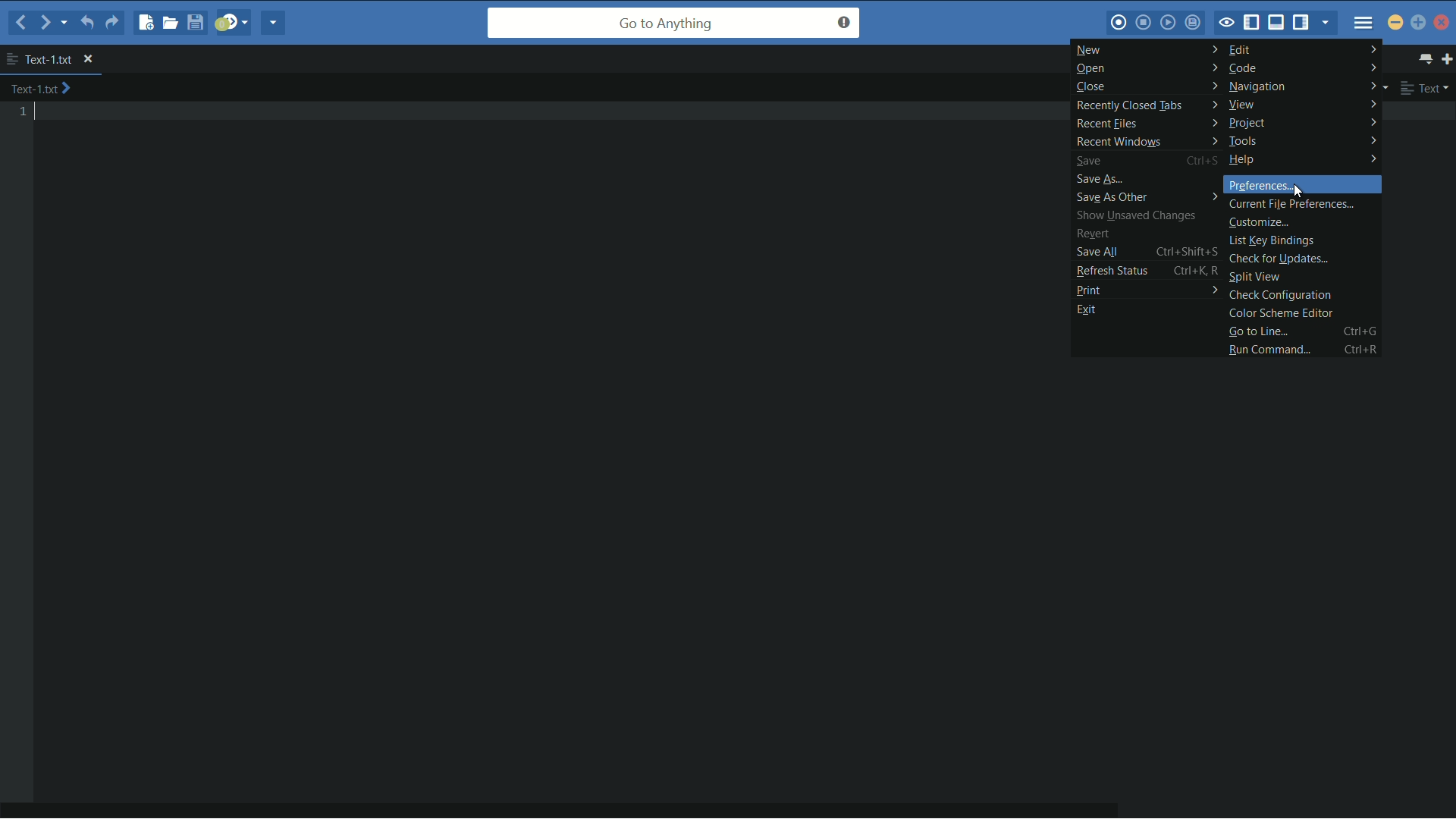  Describe the element at coordinates (1269, 349) in the screenshot. I see `run command` at that location.